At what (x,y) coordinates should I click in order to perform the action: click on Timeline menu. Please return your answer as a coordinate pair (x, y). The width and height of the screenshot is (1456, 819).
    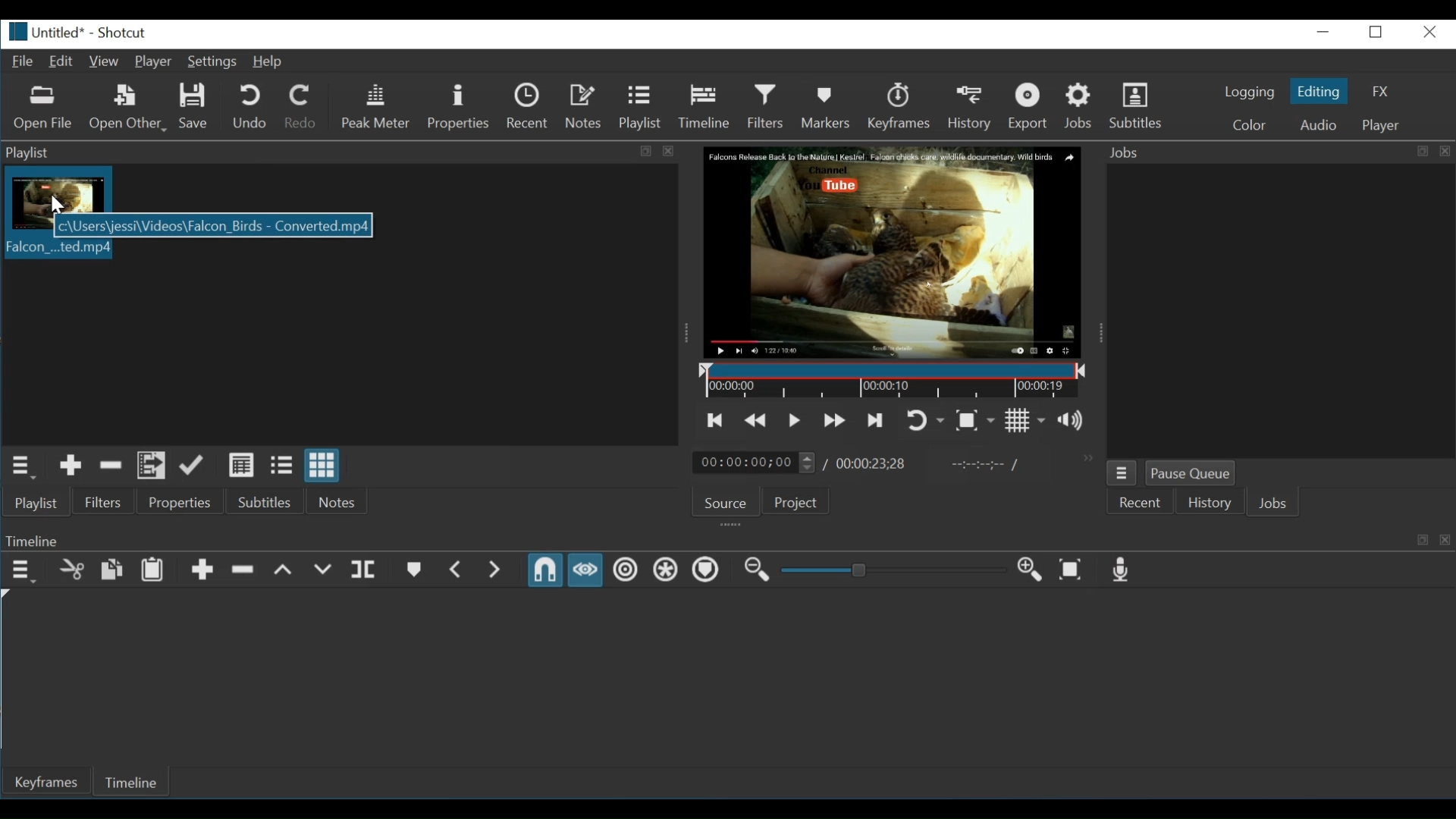
    Looking at the image, I should click on (24, 571).